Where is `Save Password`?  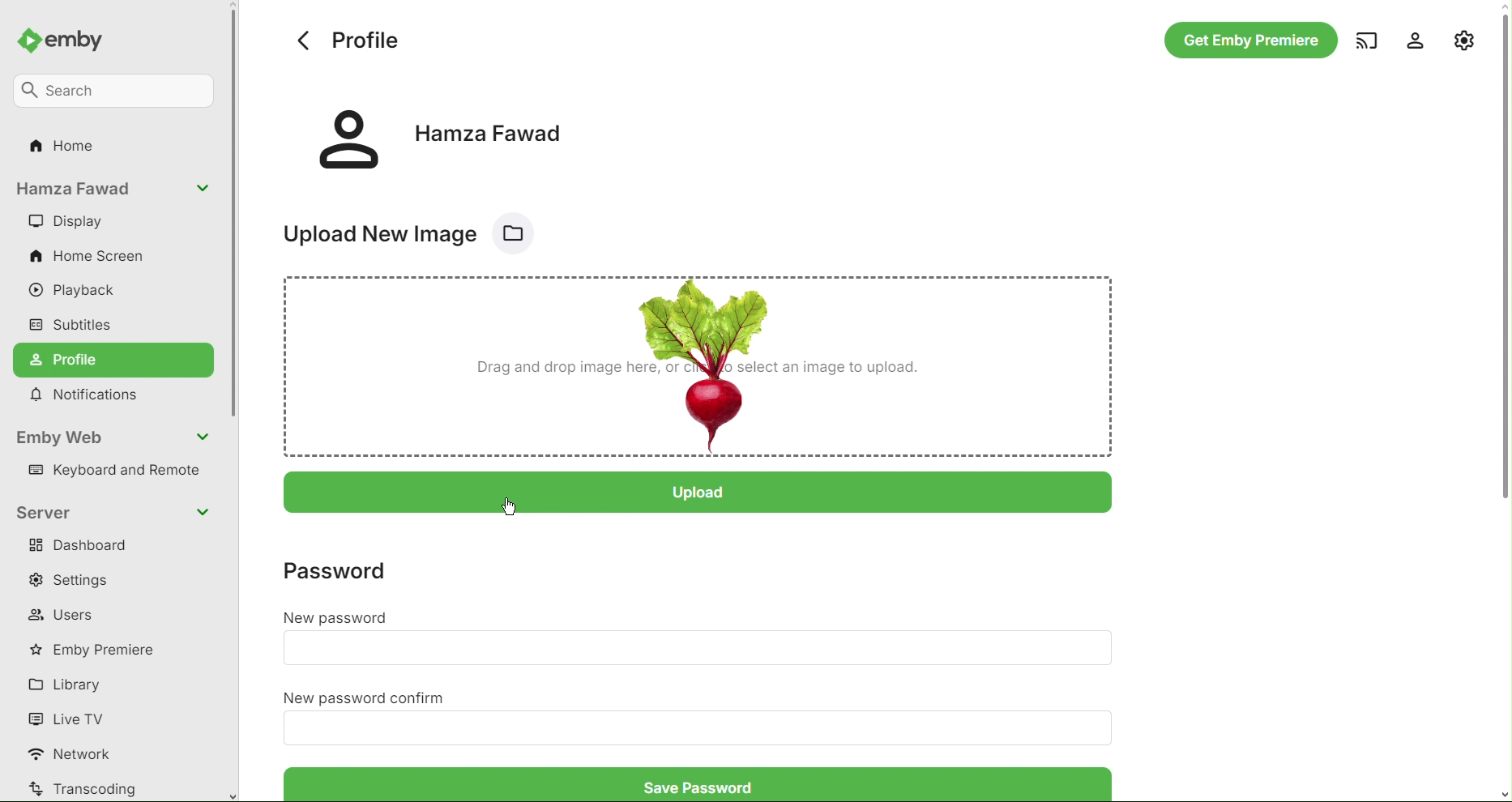 Save Password is located at coordinates (692, 783).